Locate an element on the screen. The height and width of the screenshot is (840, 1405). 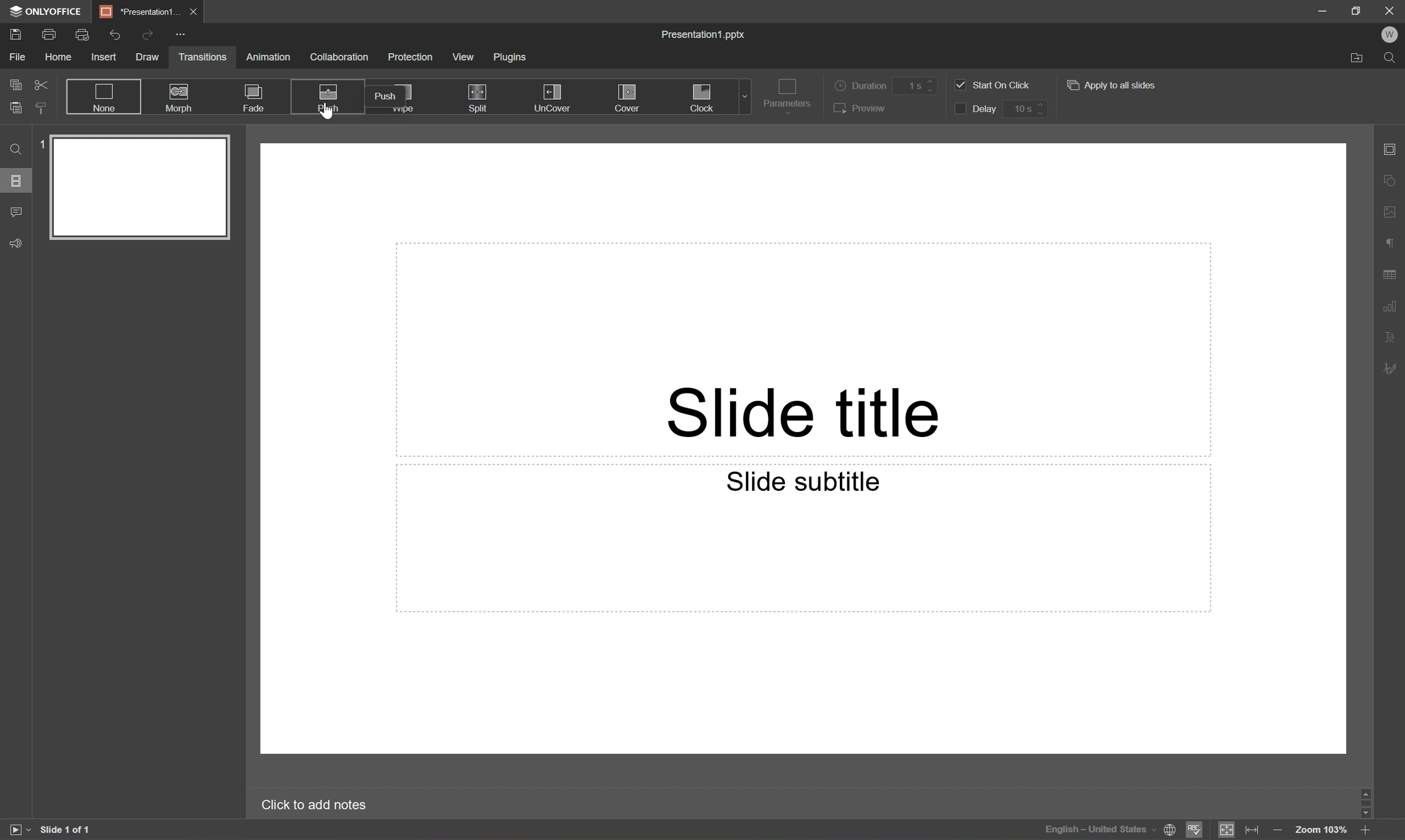
Start on click is located at coordinates (993, 84).